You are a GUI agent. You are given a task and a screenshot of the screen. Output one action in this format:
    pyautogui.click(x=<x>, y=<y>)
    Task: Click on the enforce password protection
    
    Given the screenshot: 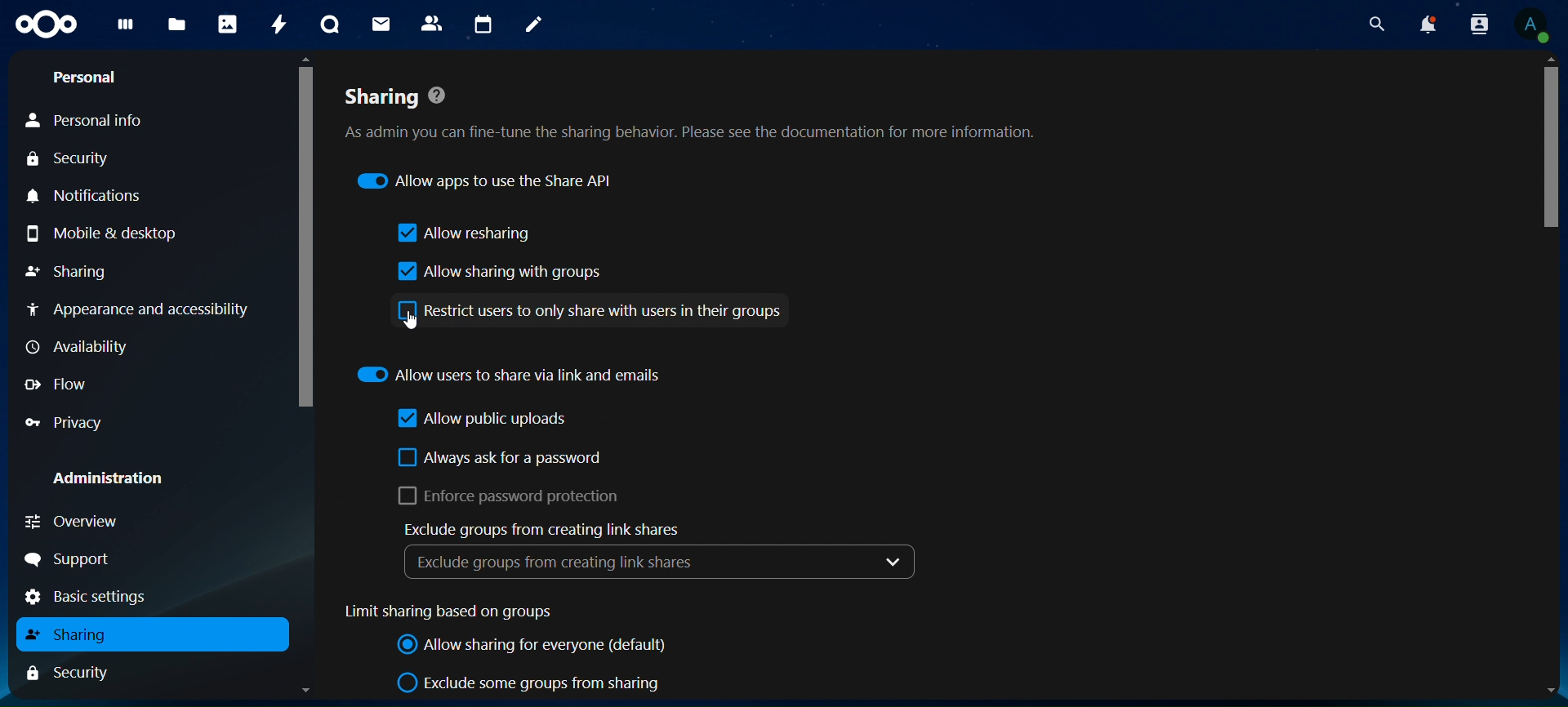 What is the action you would take?
    pyautogui.click(x=514, y=496)
    